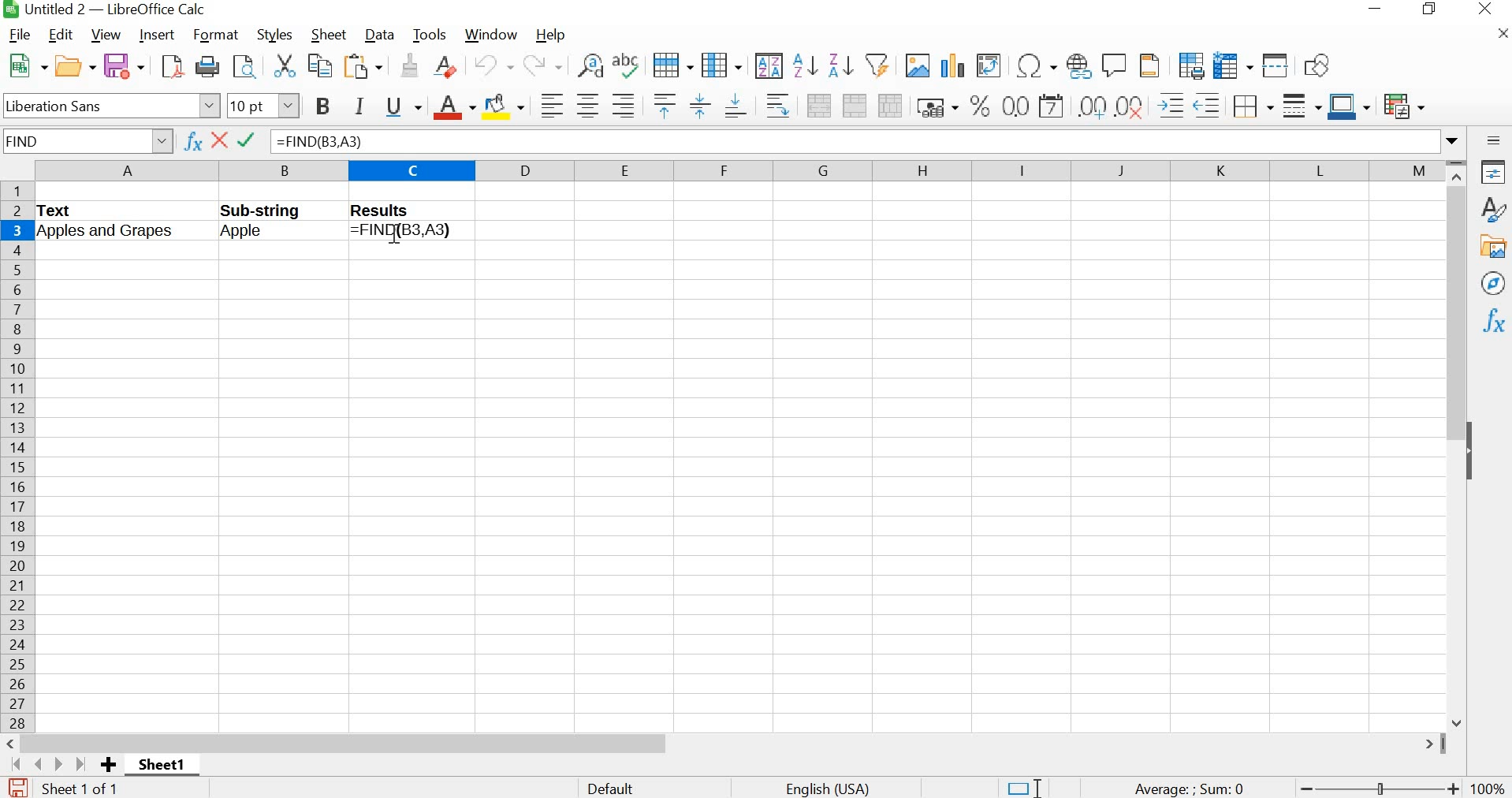  I want to click on row, so click(671, 63).